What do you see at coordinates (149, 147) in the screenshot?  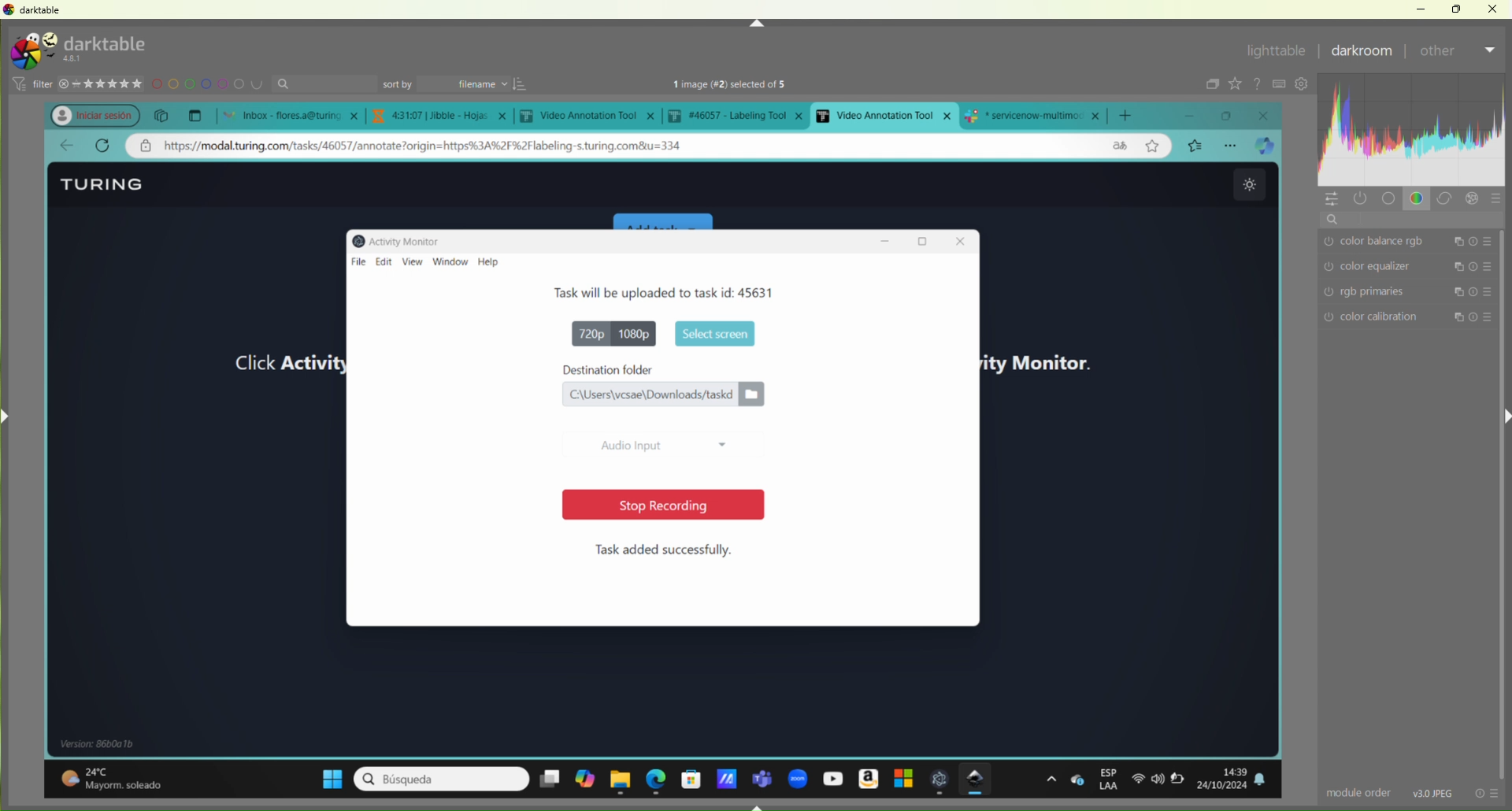 I see `private address` at bounding box center [149, 147].